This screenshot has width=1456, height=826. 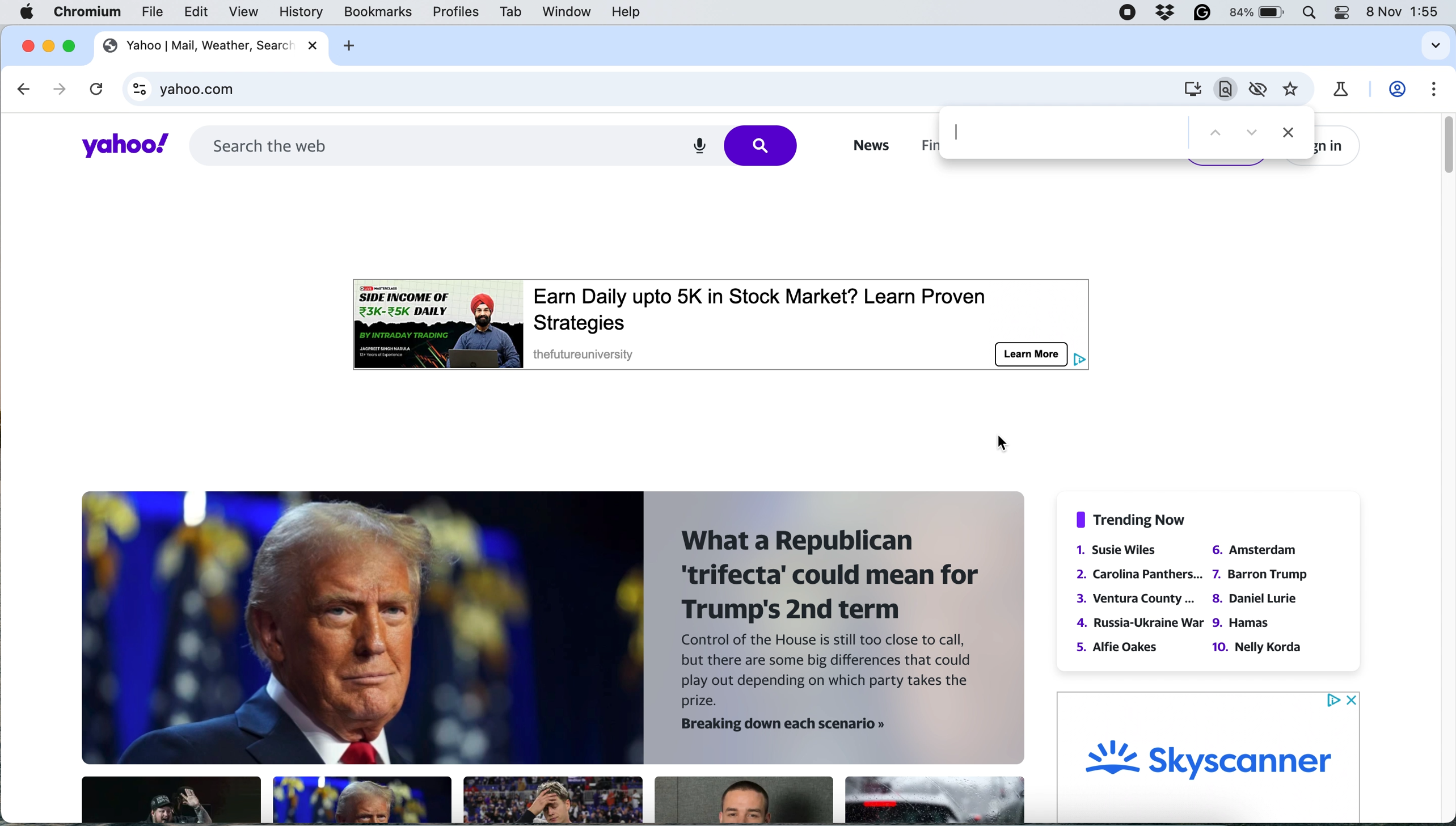 I want to click on screen recorder, so click(x=1126, y=11).